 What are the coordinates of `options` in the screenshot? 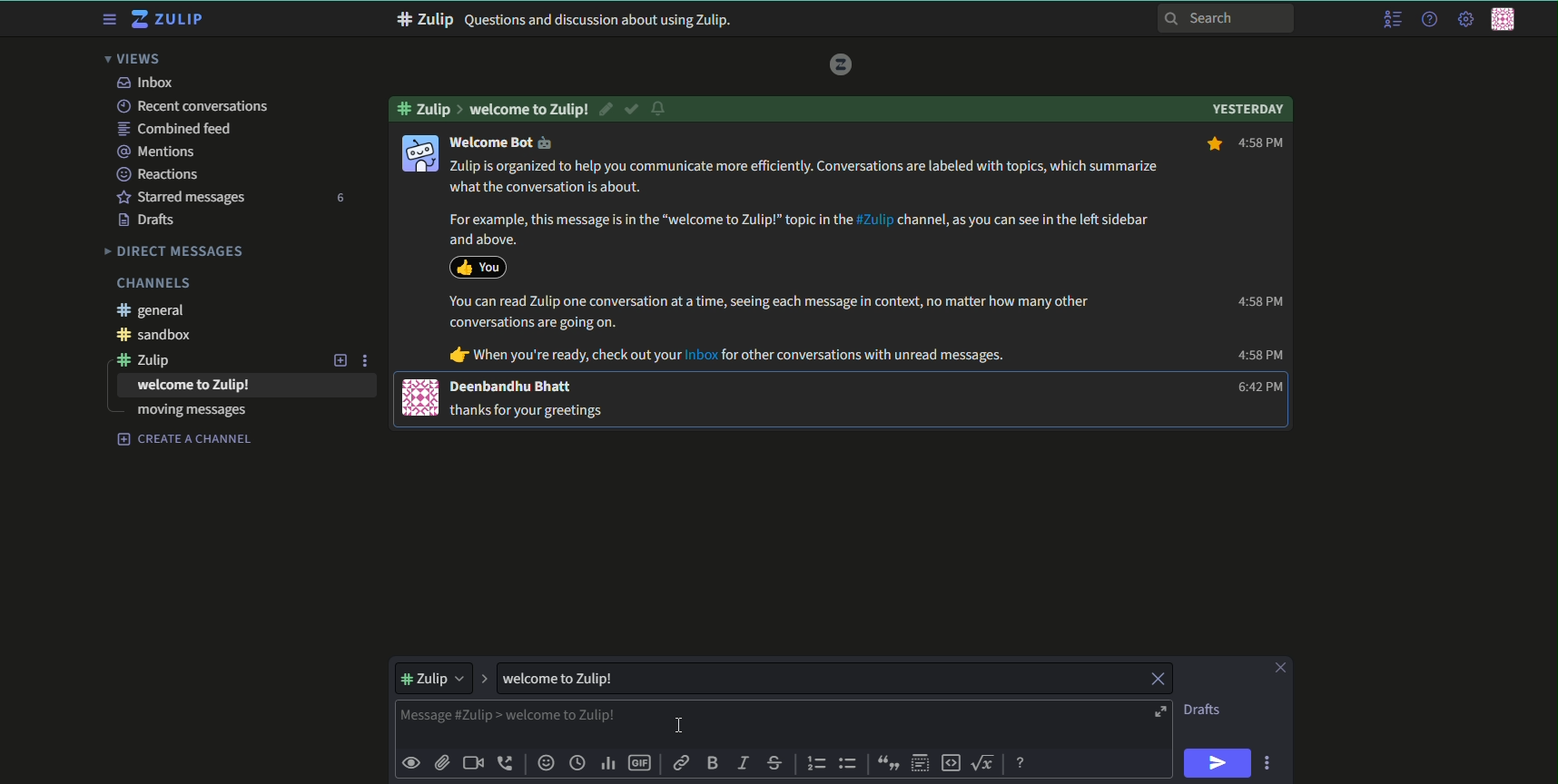 It's located at (368, 359).